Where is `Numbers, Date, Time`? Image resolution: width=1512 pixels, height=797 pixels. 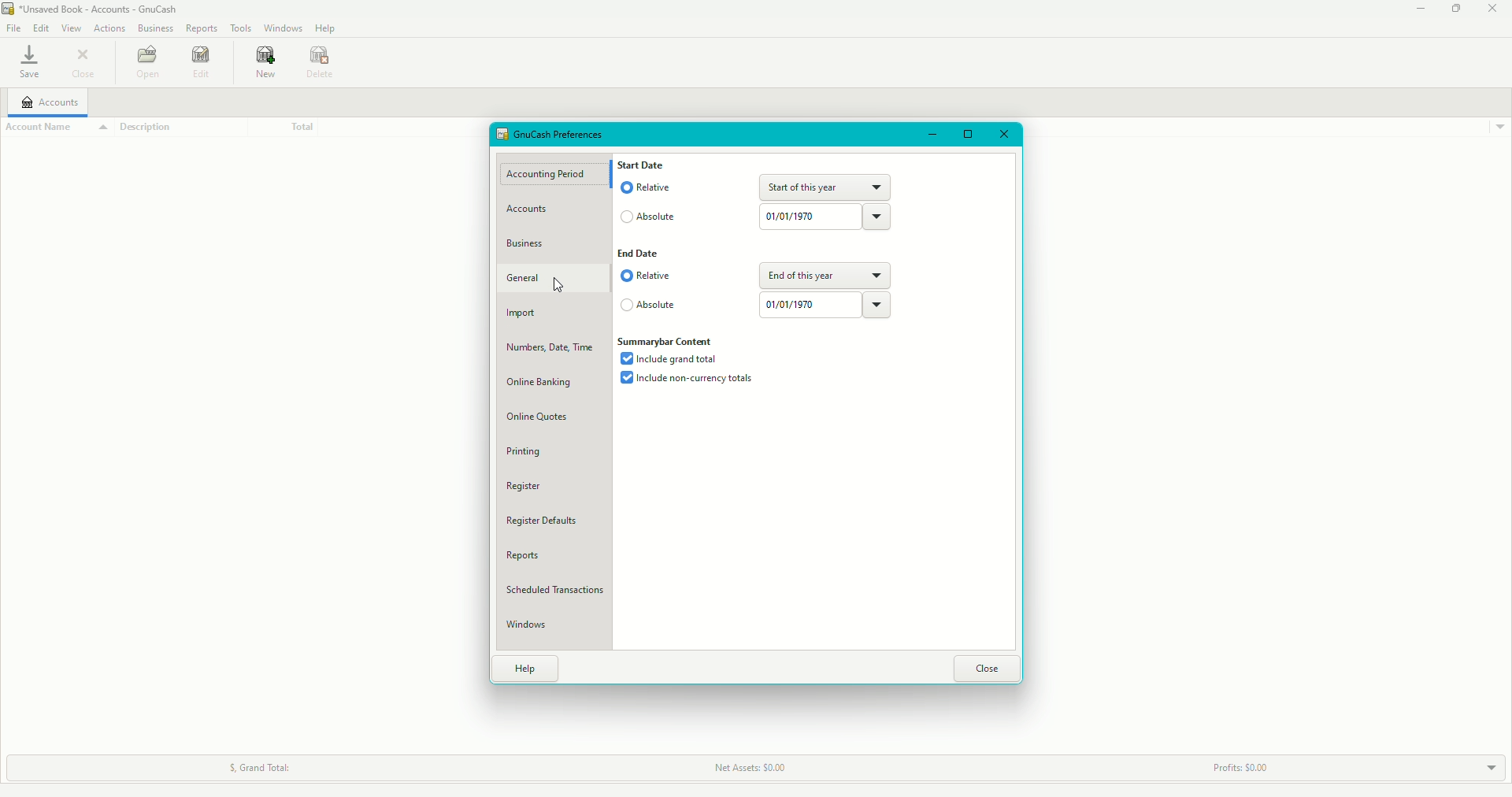
Numbers, Date, Time is located at coordinates (553, 350).